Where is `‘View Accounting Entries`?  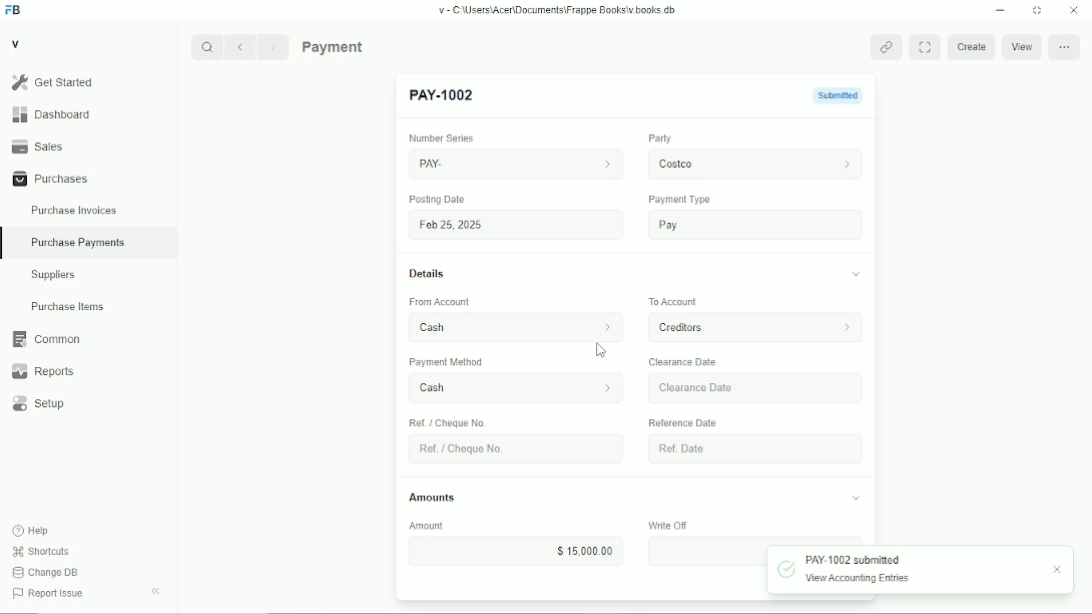 ‘View Accounting Entries is located at coordinates (857, 579).